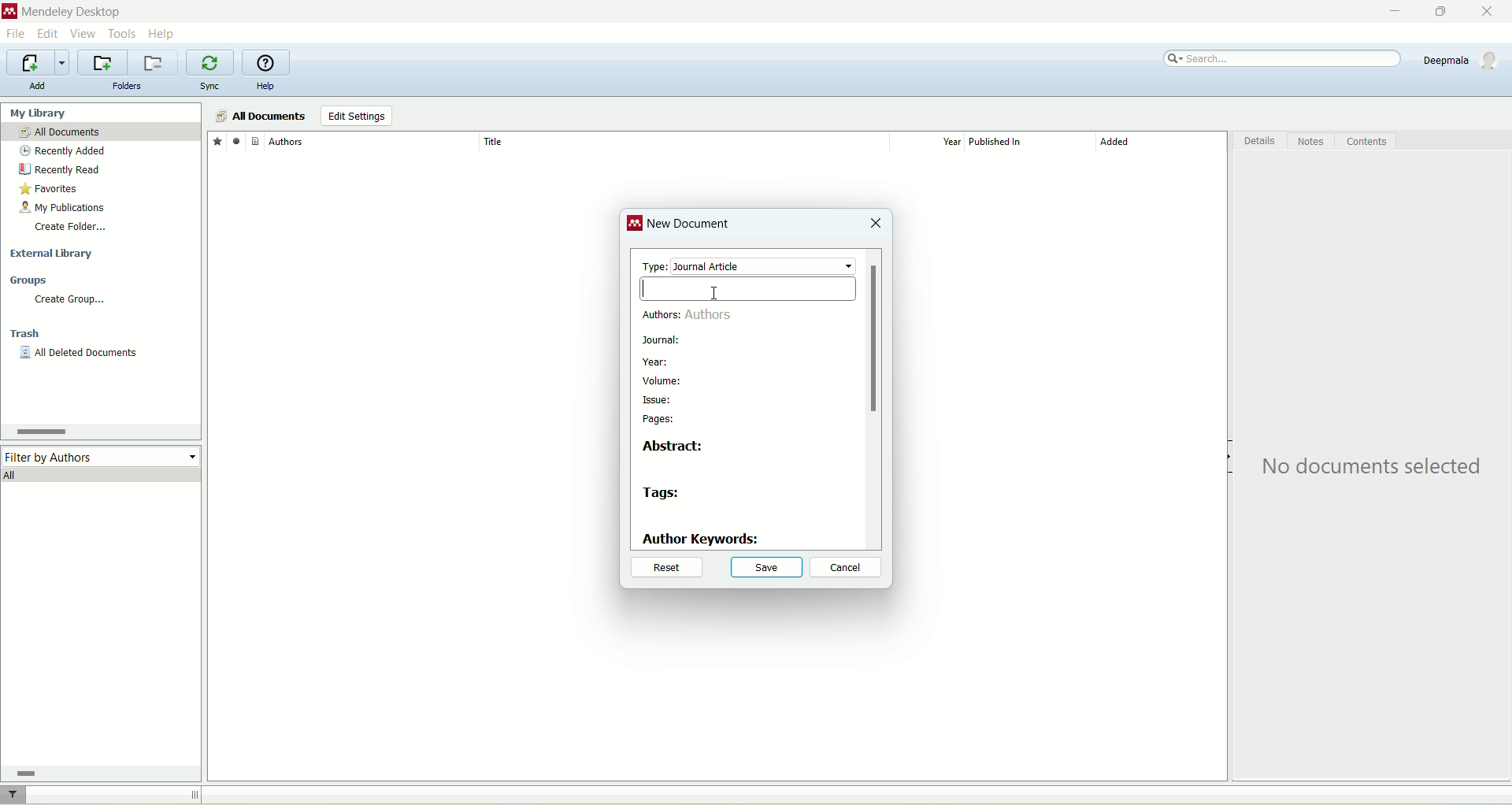  I want to click on search, so click(1284, 59).